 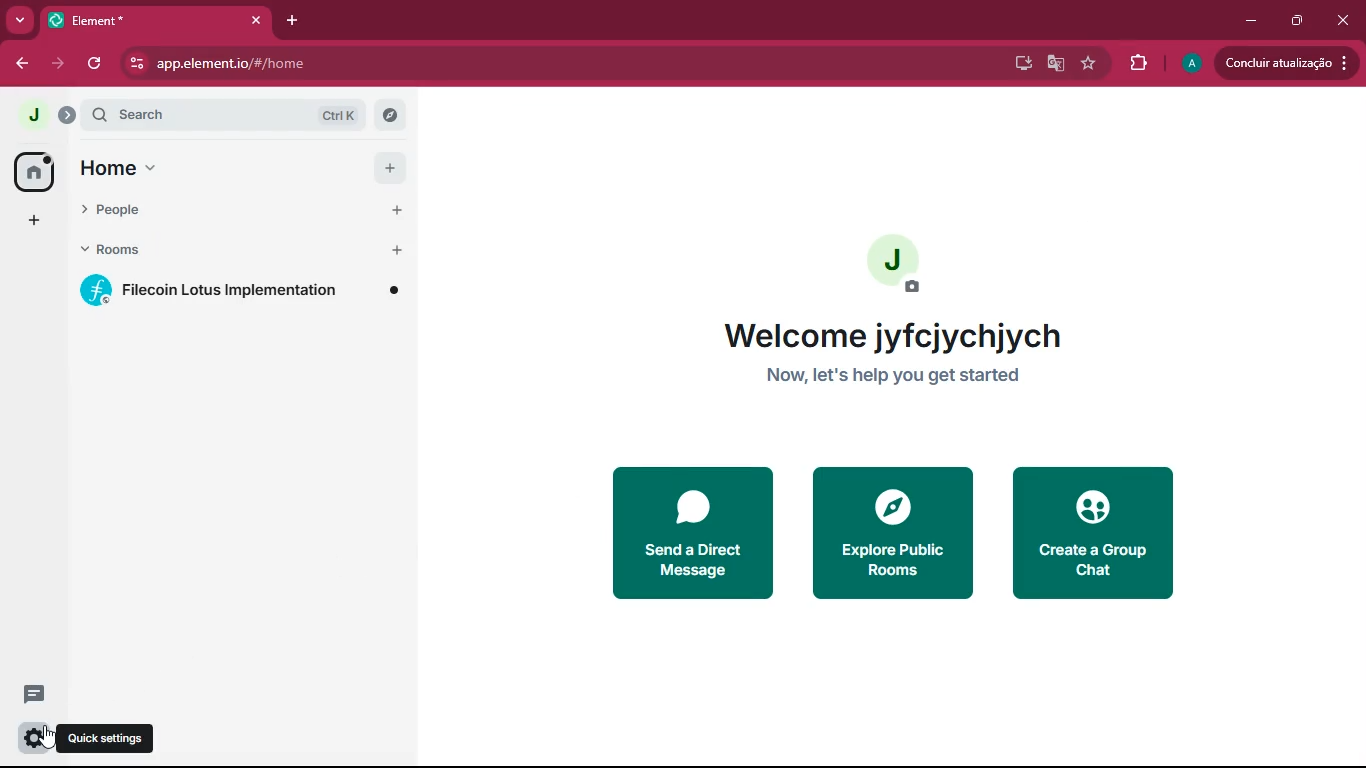 I want to click on home, so click(x=32, y=172).